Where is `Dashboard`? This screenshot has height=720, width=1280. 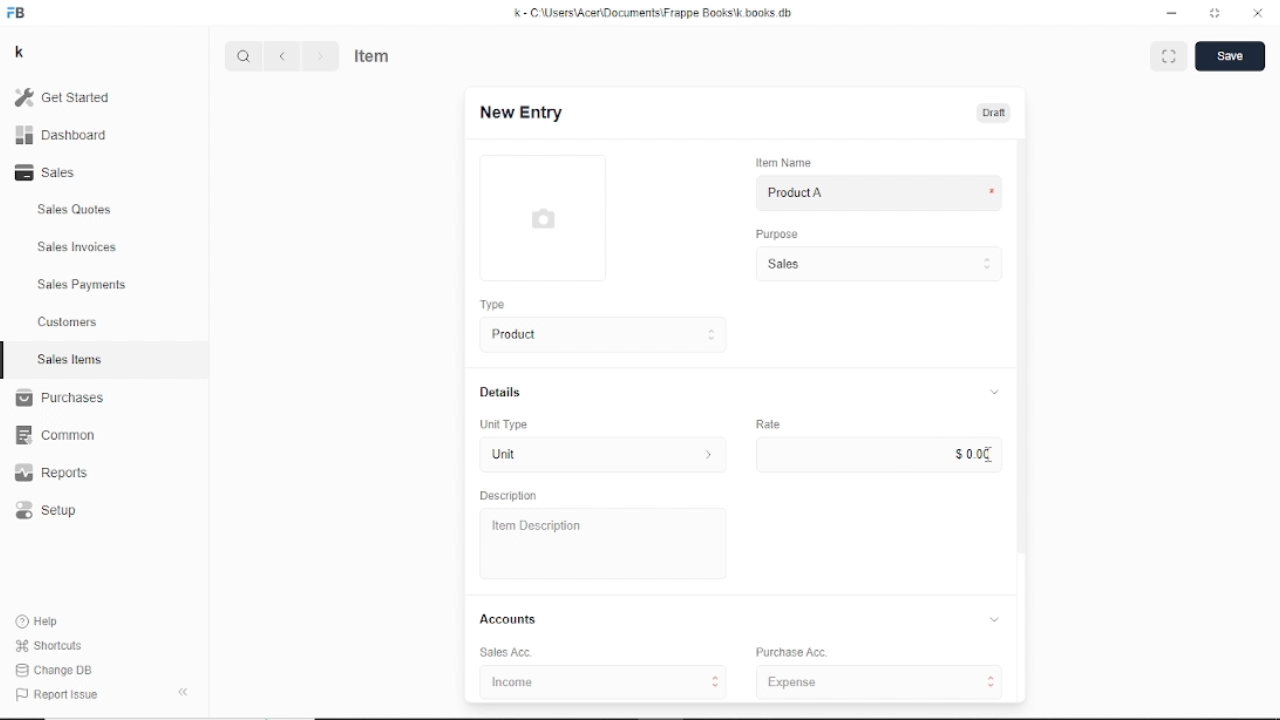
Dashboard is located at coordinates (62, 136).